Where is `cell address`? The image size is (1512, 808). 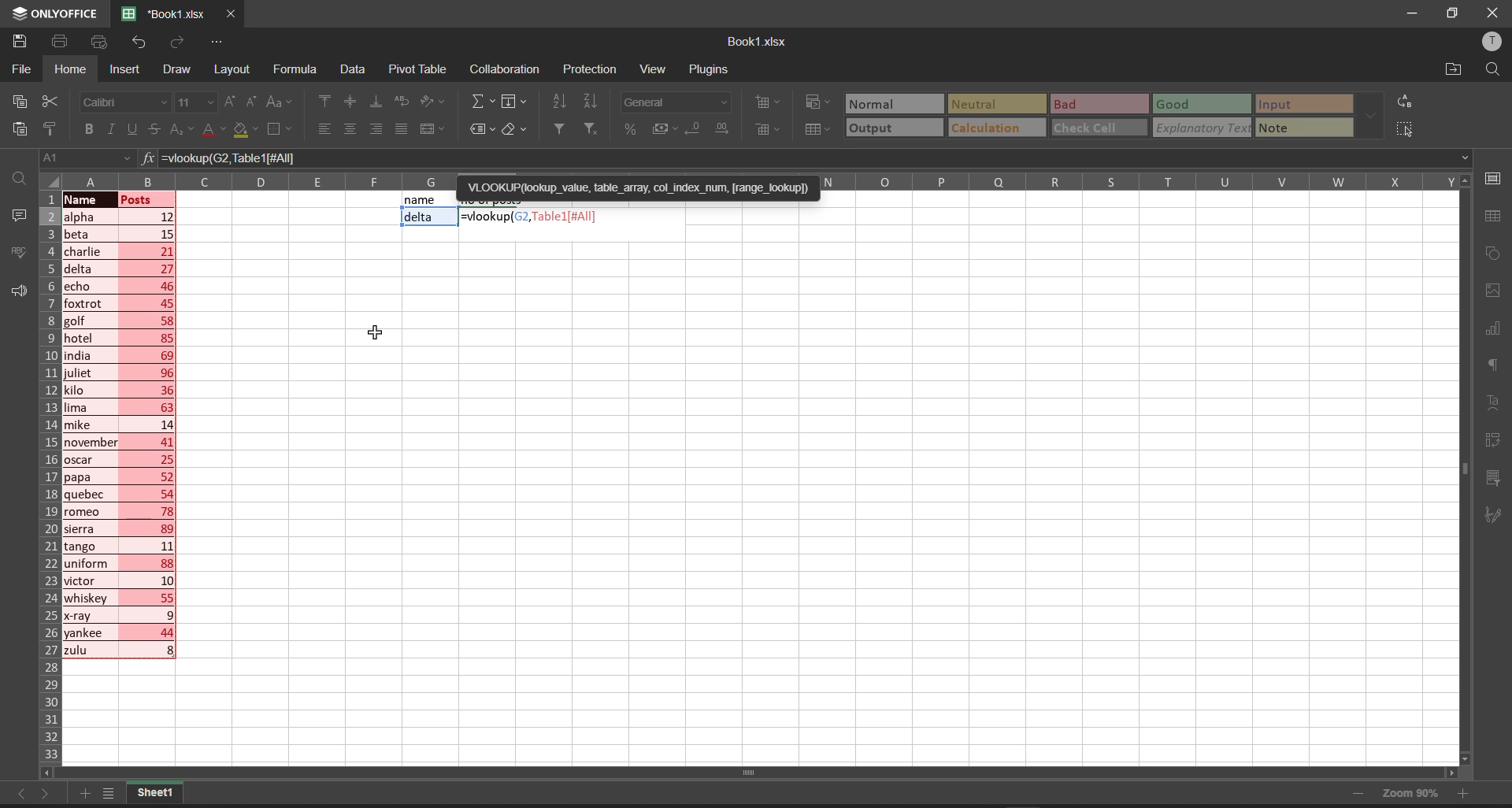 cell address is located at coordinates (84, 159).